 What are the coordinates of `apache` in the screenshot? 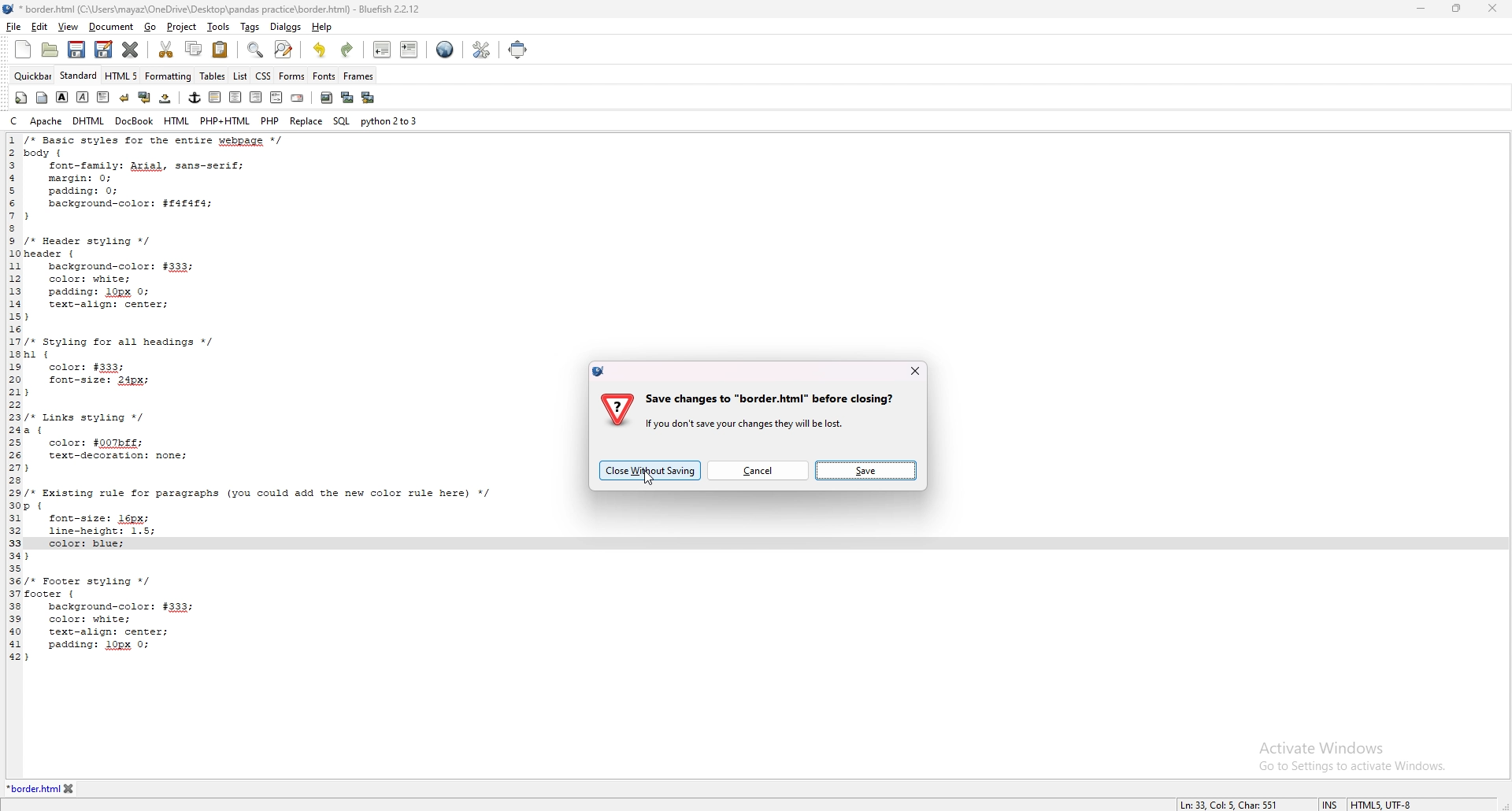 It's located at (46, 121).